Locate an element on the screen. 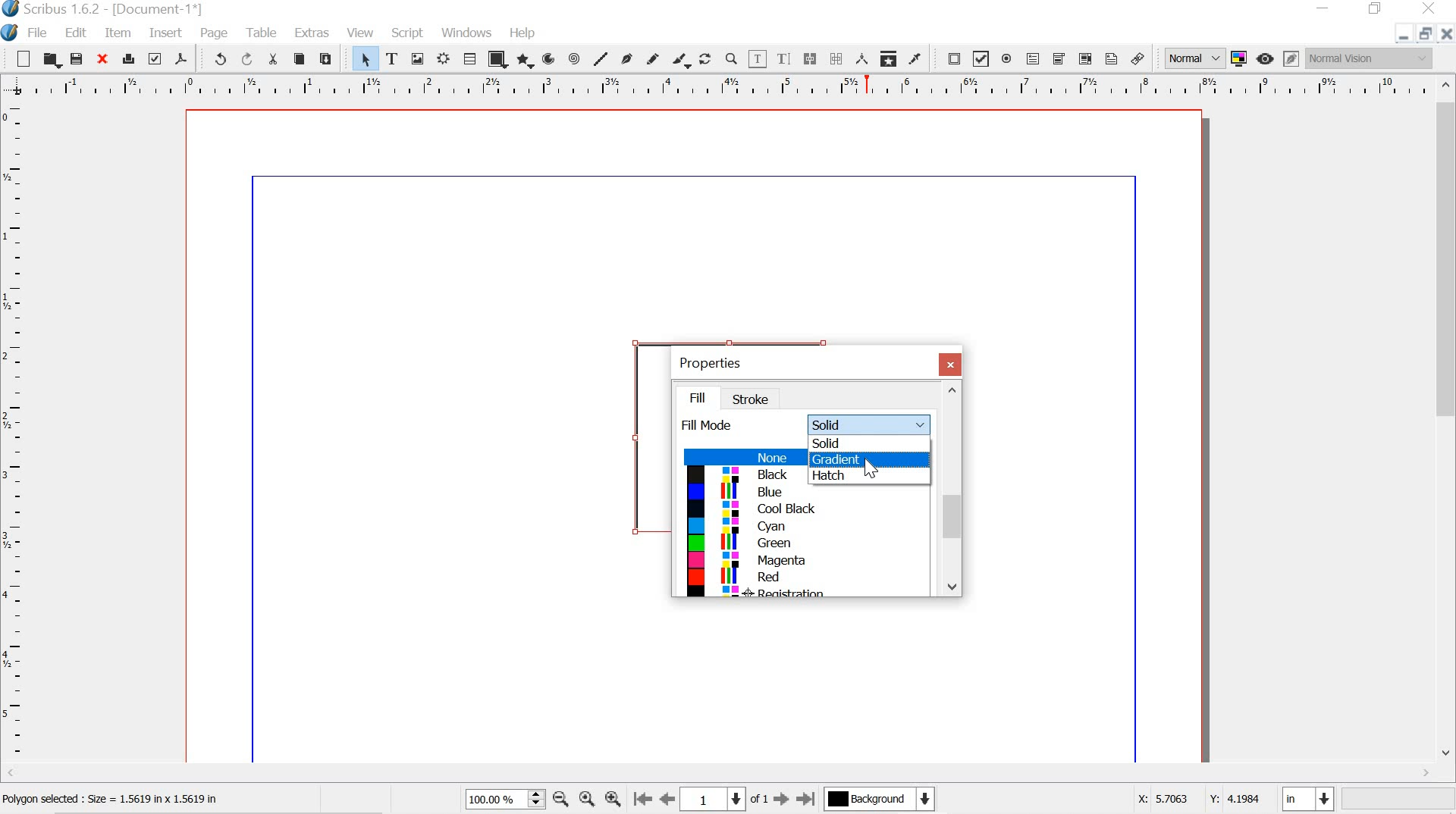  zoom in is located at coordinates (613, 800).